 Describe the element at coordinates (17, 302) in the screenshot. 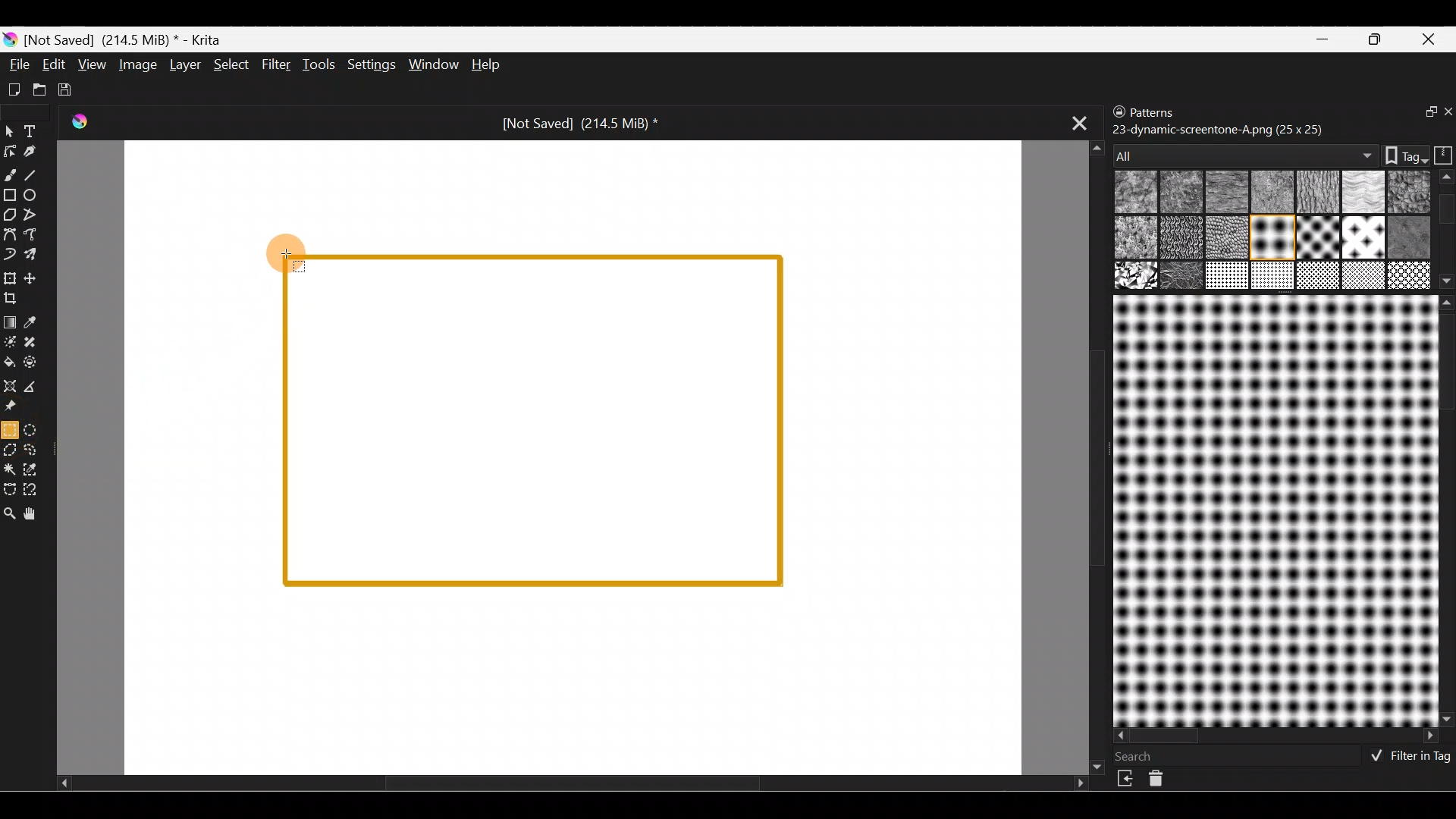

I see `Crop an image` at that location.